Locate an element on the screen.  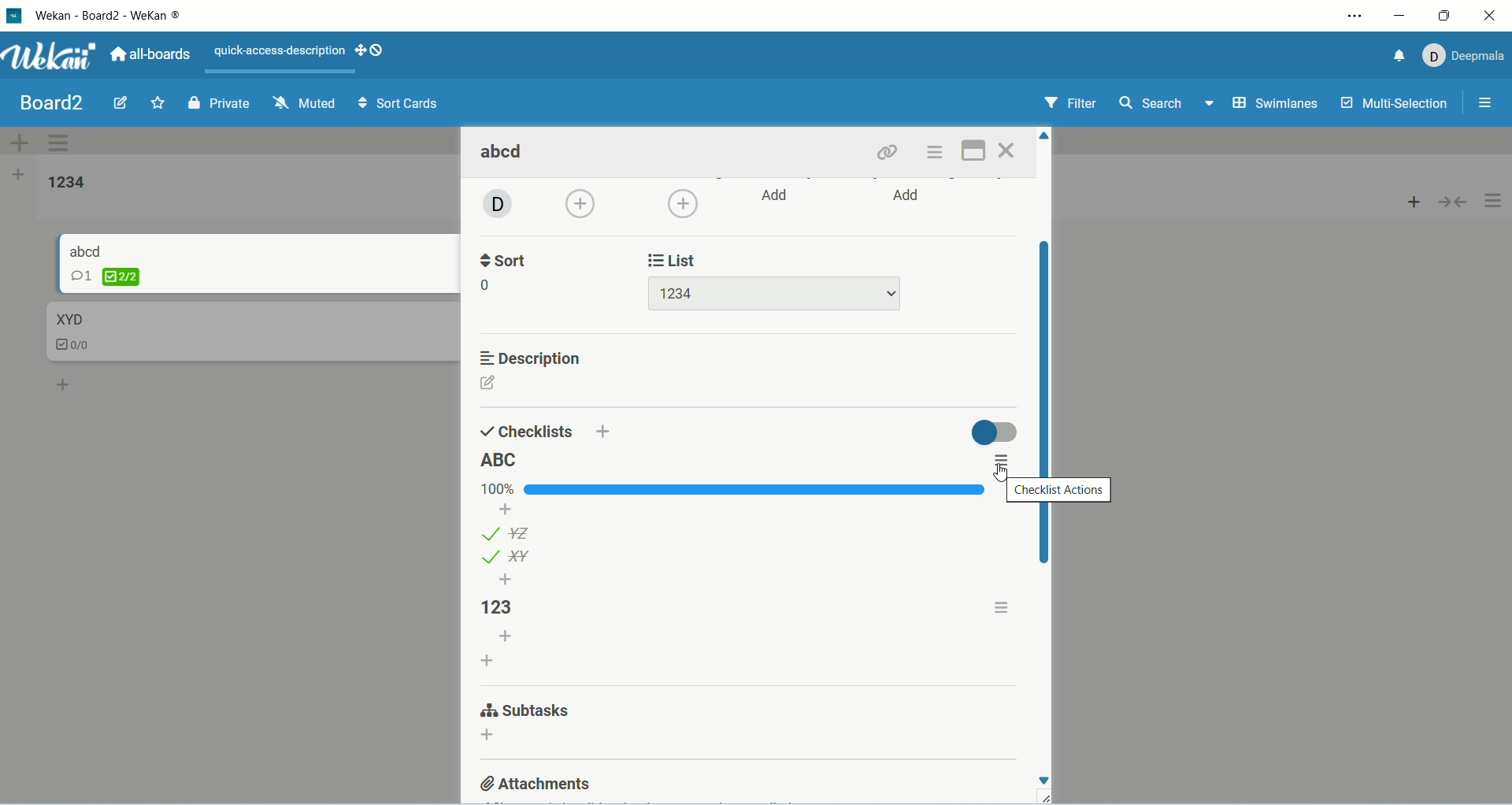
toggle button is located at coordinates (993, 432).